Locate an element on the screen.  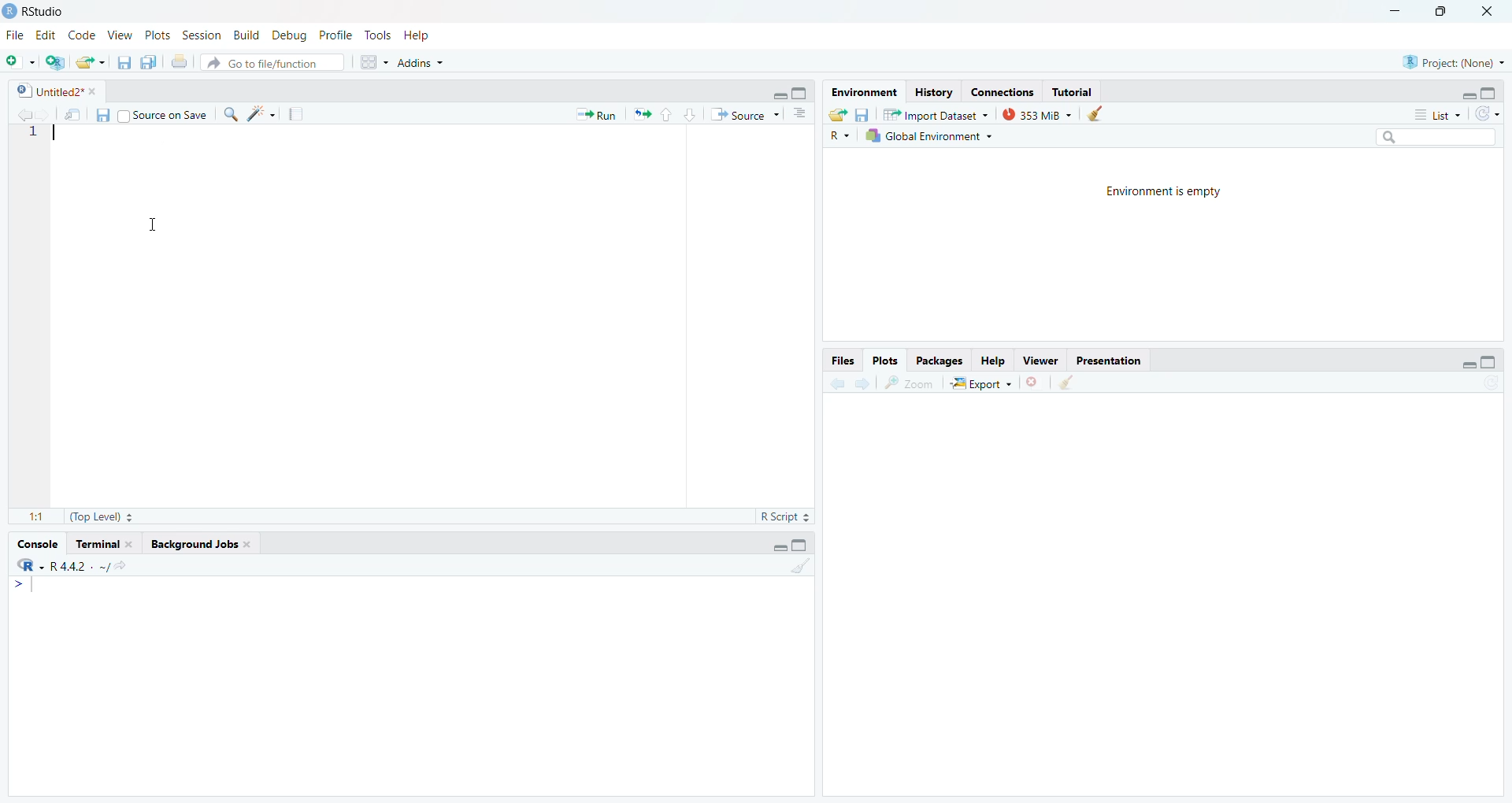
show in new window is located at coordinates (73, 115).